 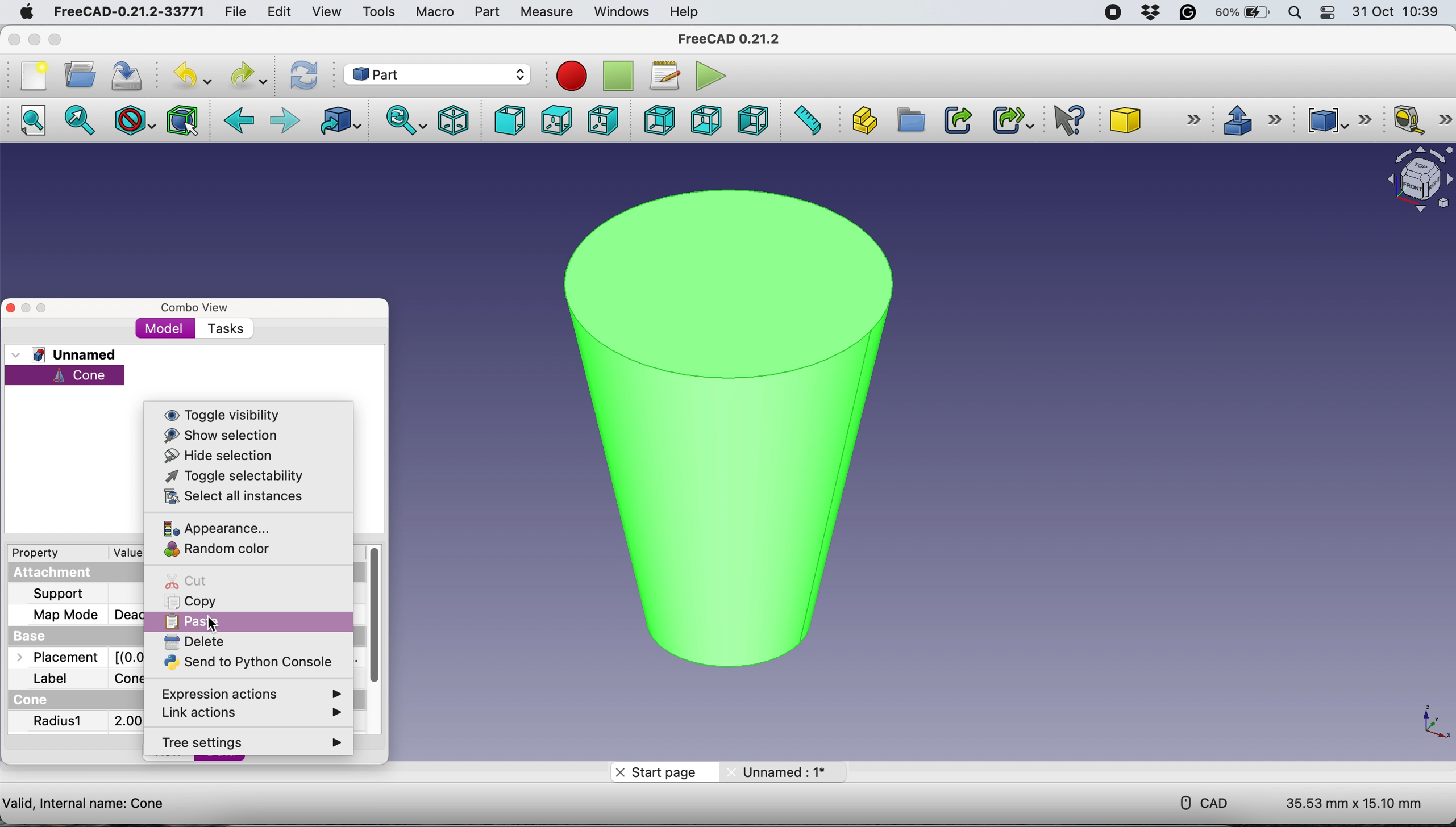 I want to click on edit, so click(x=278, y=11).